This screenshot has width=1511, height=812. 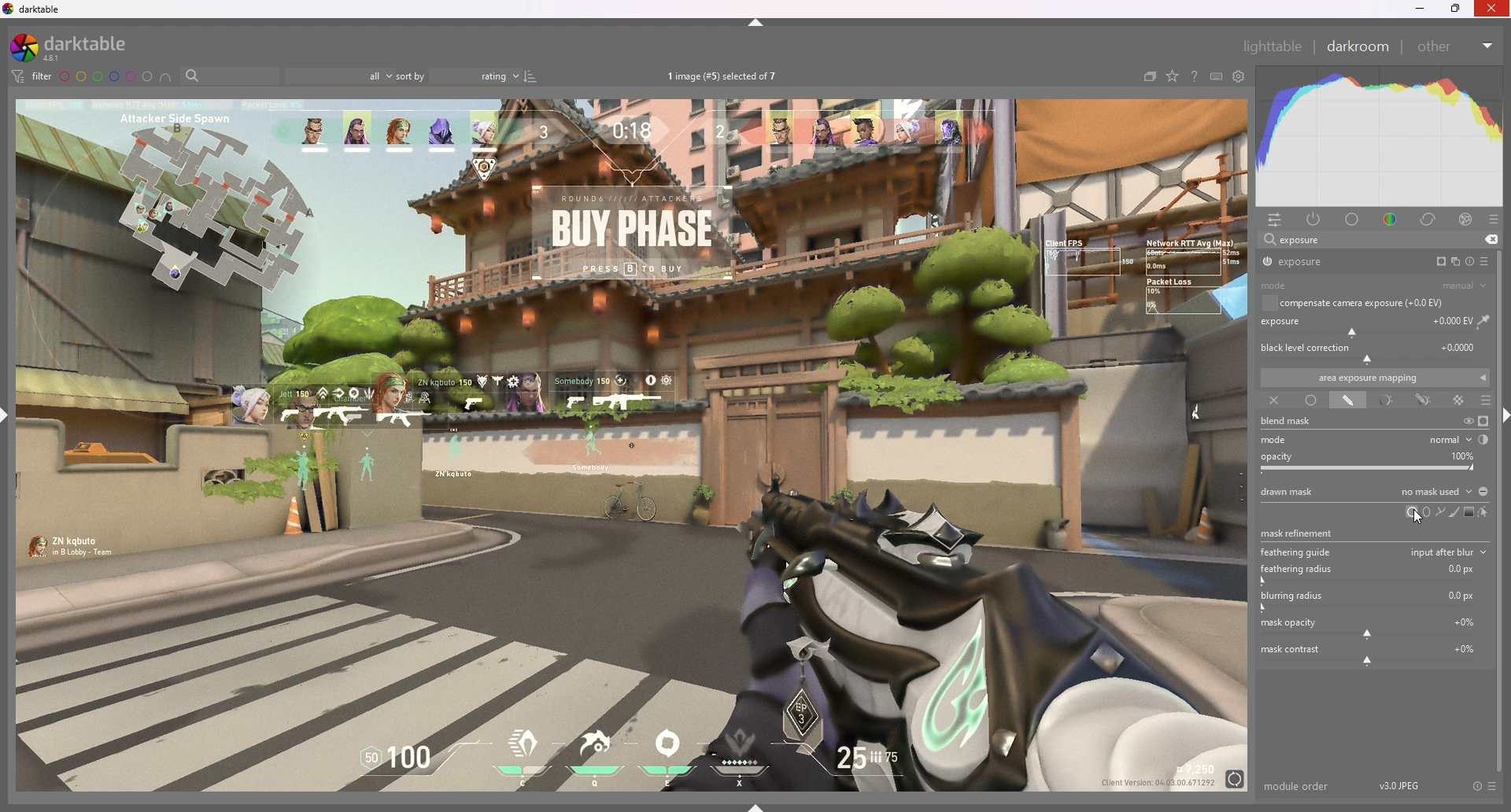 I want to click on filter by name, so click(x=230, y=75).